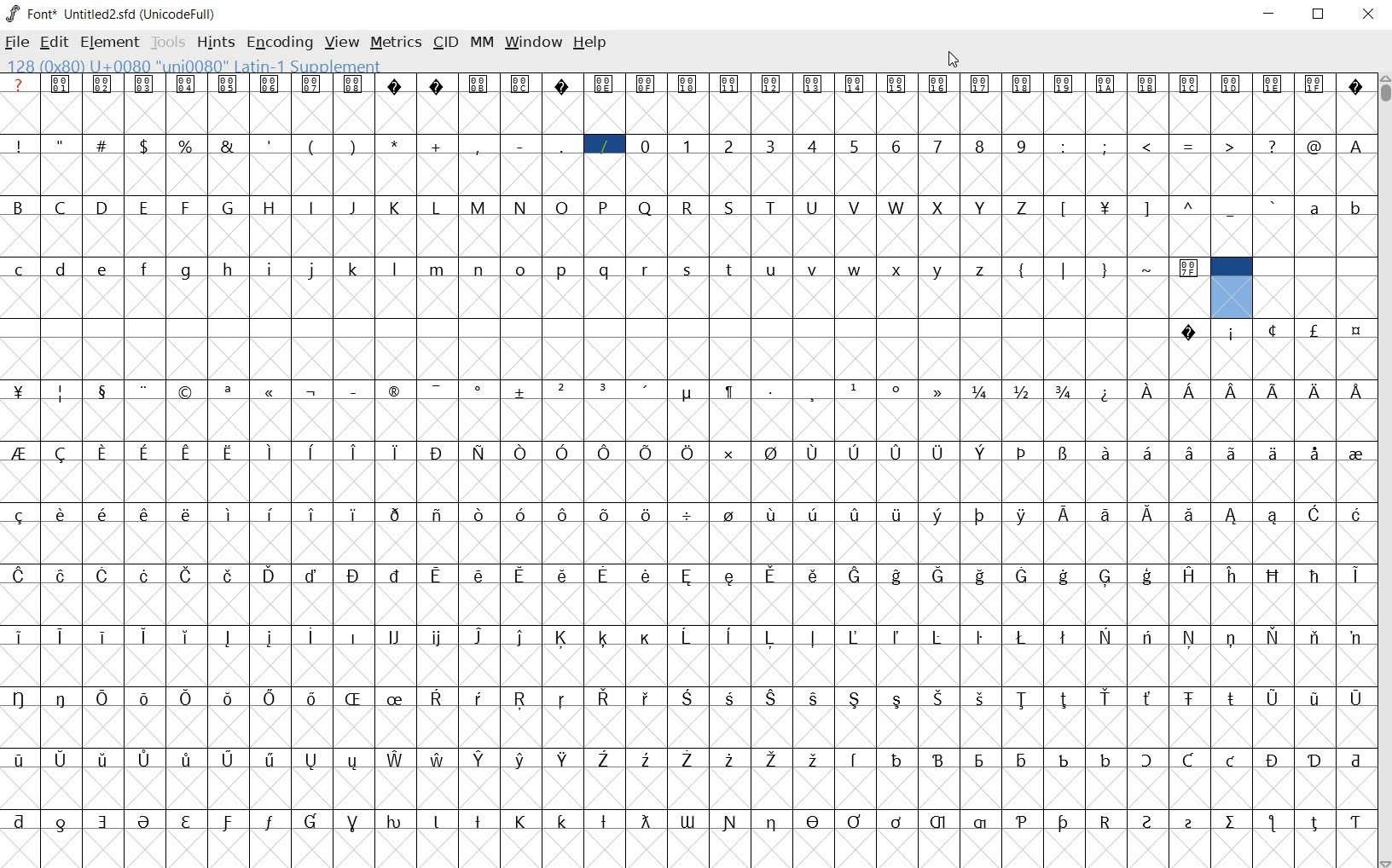  What do you see at coordinates (230, 757) in the screenshot?
I see `Symbol` at bounding box center [230, 757].